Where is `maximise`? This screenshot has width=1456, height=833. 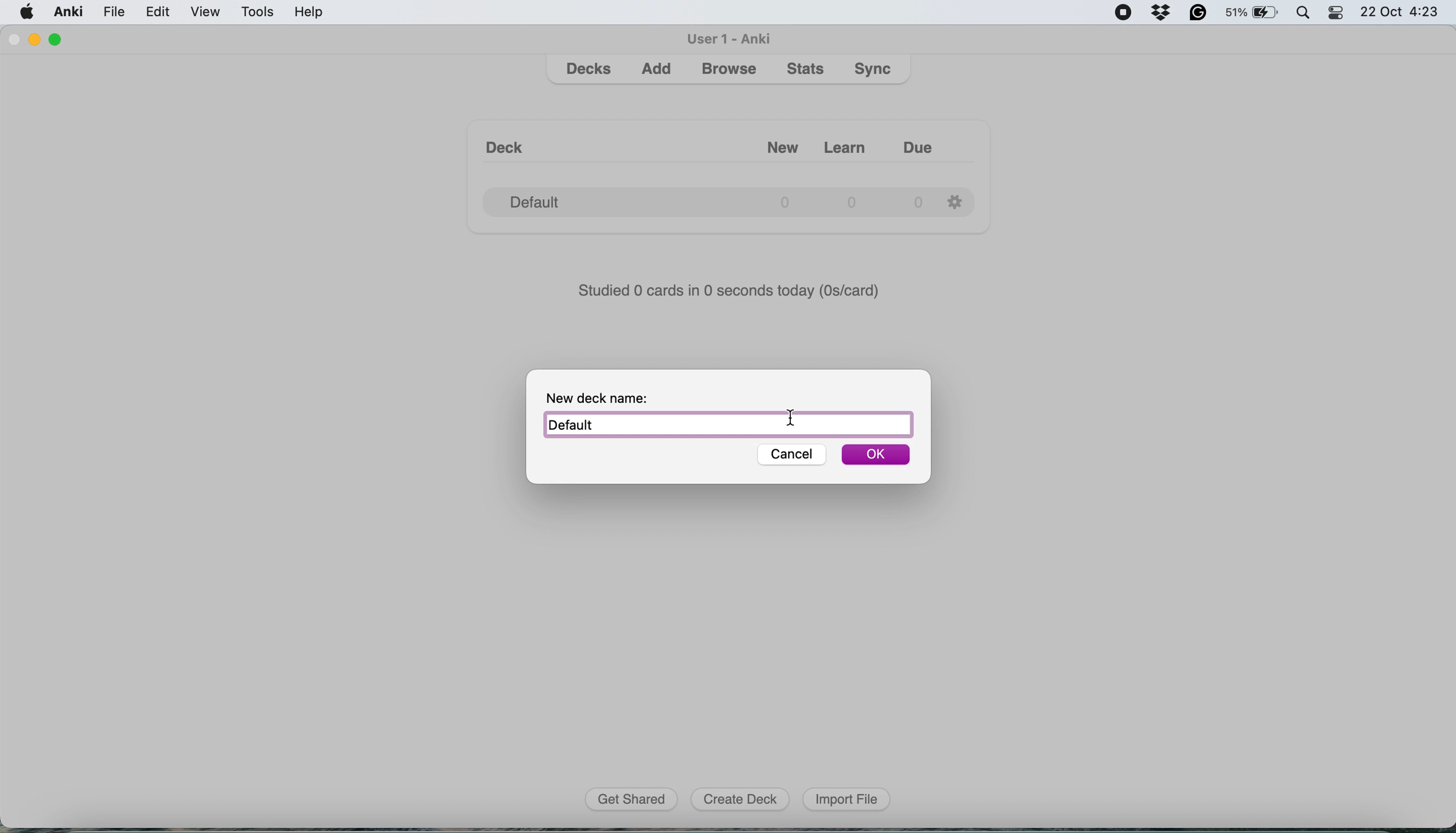
maximise is located at coordinates (60, 37).